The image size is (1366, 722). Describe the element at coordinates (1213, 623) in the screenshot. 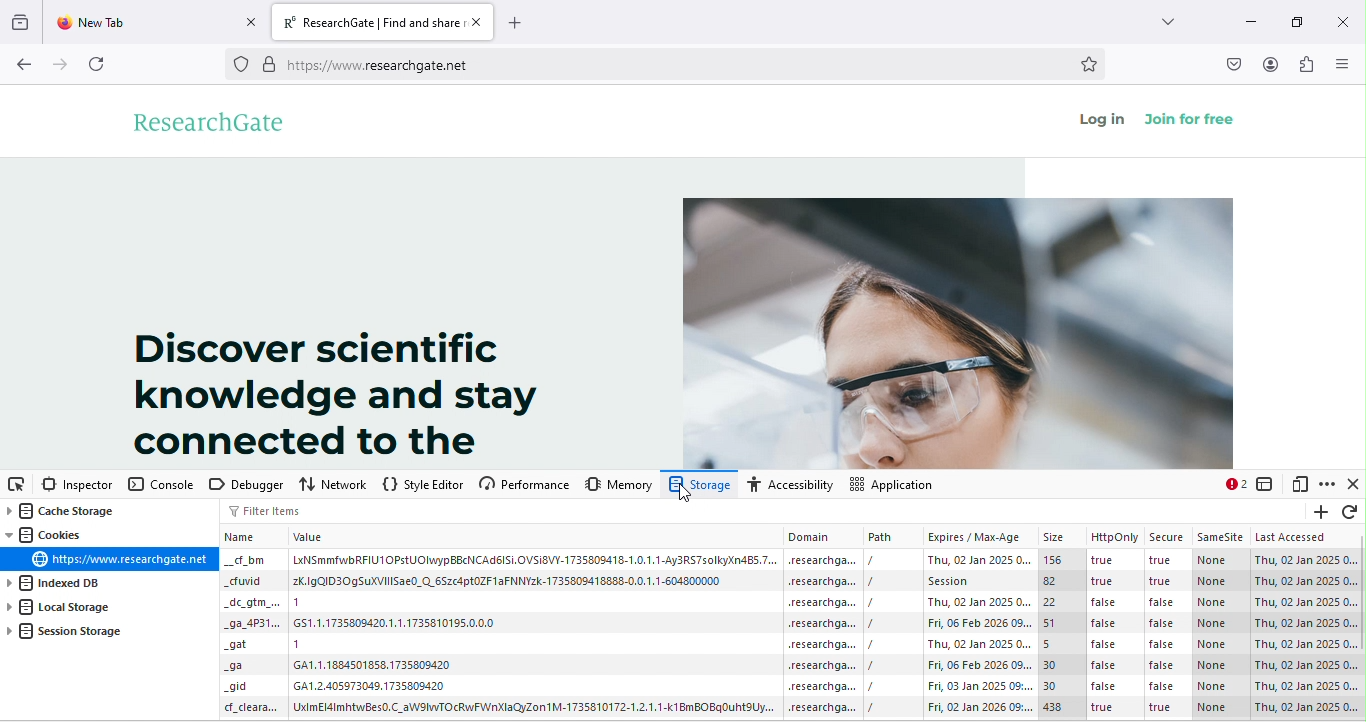

I see `none` at that location.